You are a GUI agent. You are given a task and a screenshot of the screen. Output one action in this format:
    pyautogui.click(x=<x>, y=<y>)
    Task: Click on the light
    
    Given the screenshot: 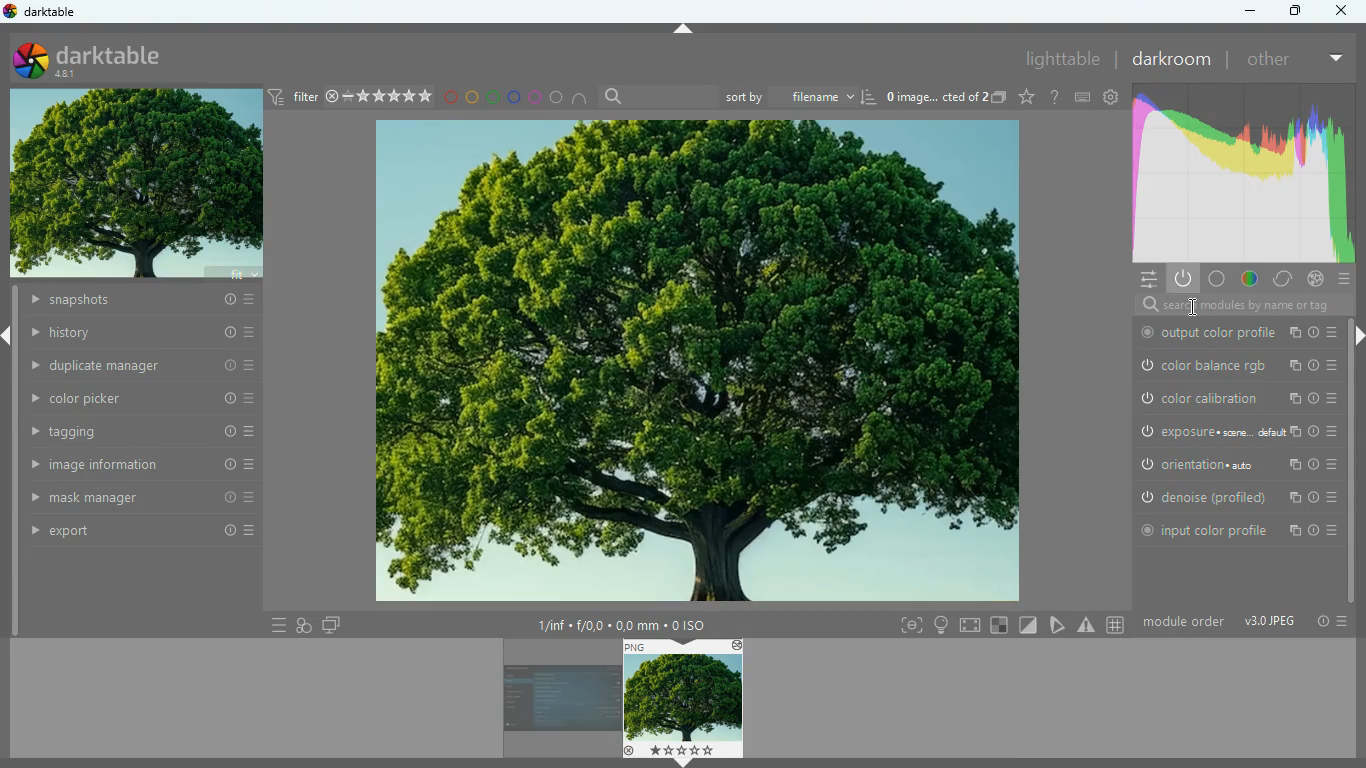 What is the action you would take?
    pyautogui.click(x=943, y=624)
    